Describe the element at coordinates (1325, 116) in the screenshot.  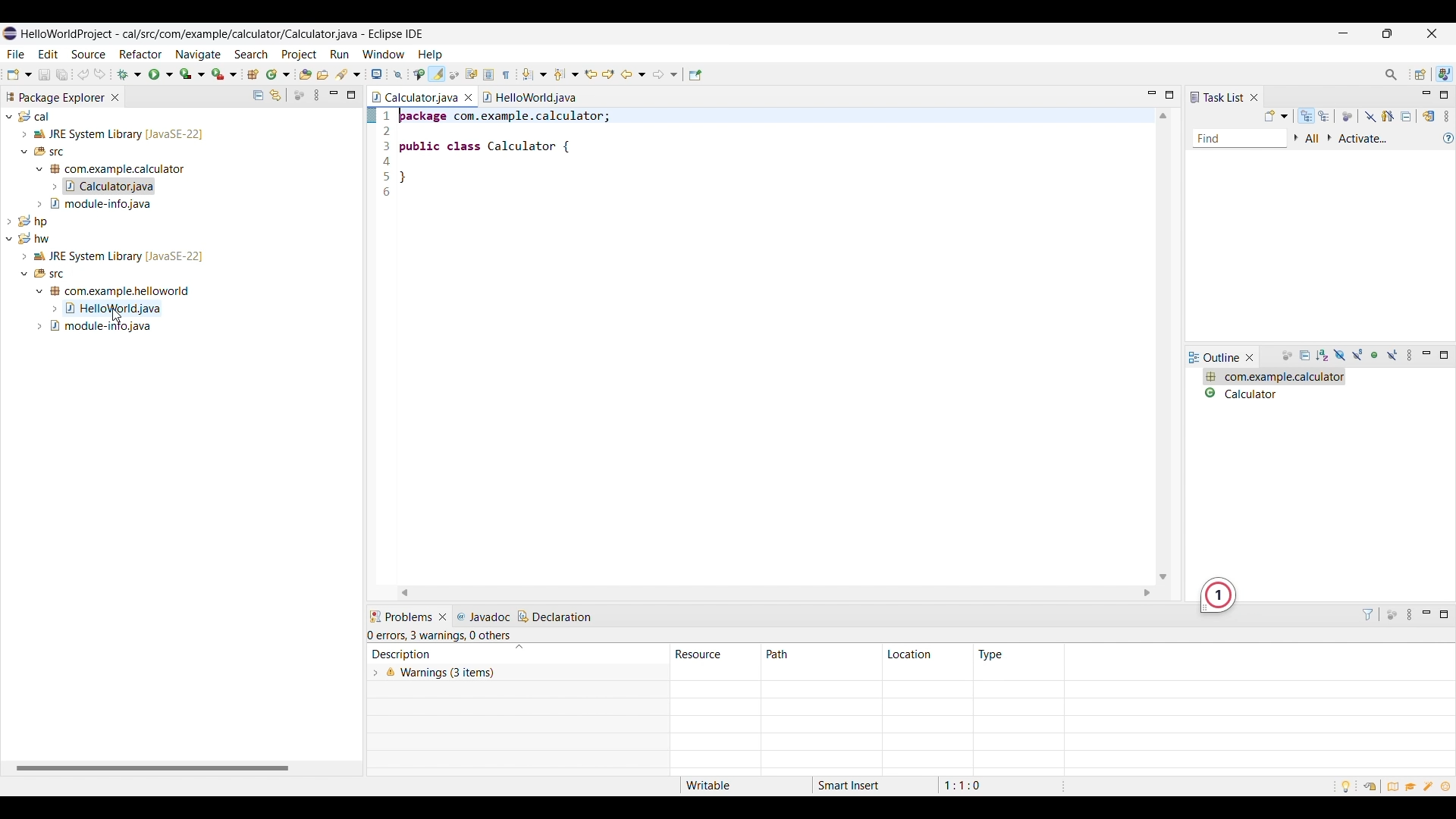
I see `Scheduled` at that location.